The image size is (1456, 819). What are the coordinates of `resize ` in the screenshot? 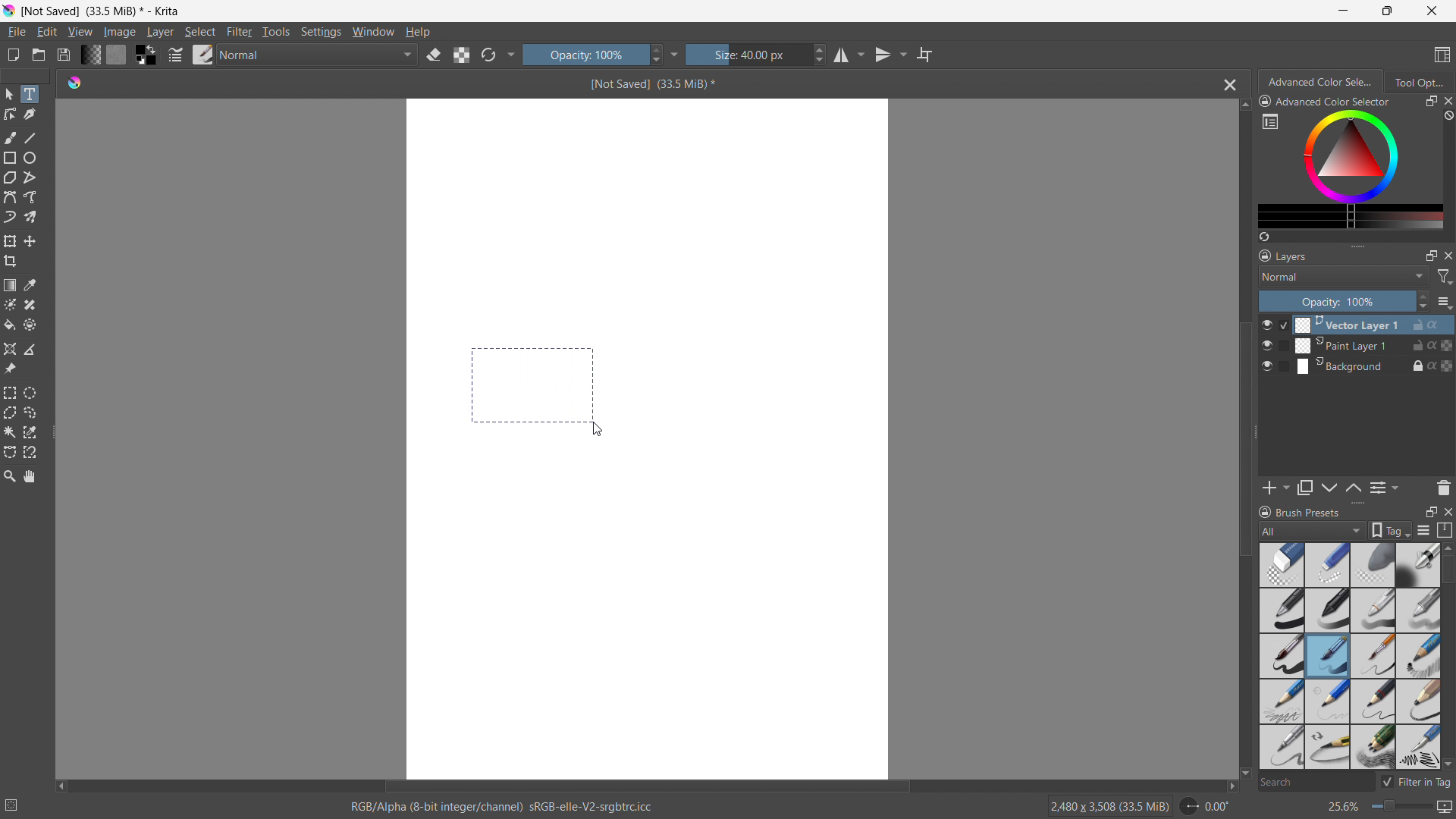 It's located at (1357, 504).